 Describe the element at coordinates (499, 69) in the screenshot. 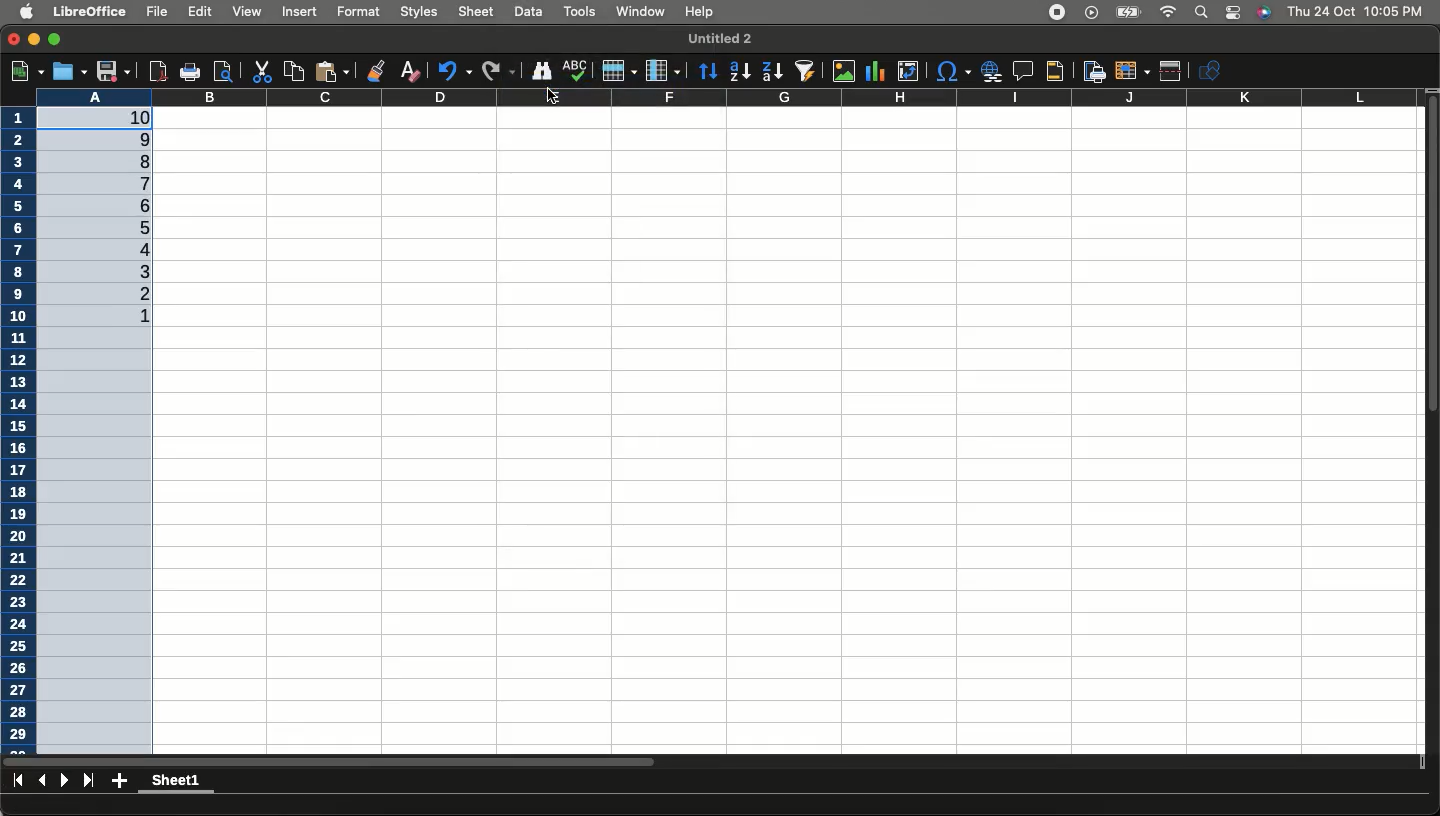

I see `Redo` at that location.